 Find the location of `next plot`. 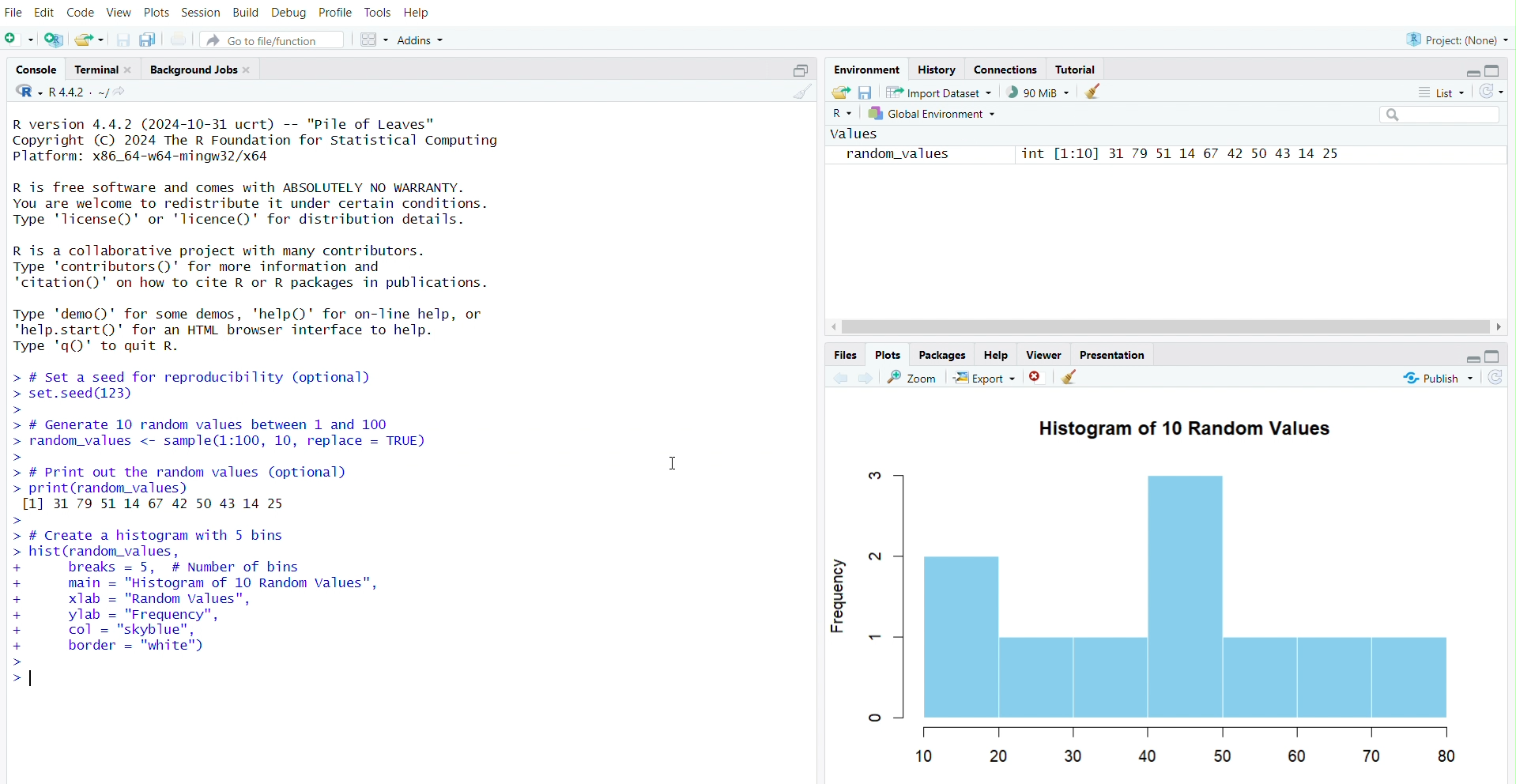

next plot is located at coordinates (865, 379).